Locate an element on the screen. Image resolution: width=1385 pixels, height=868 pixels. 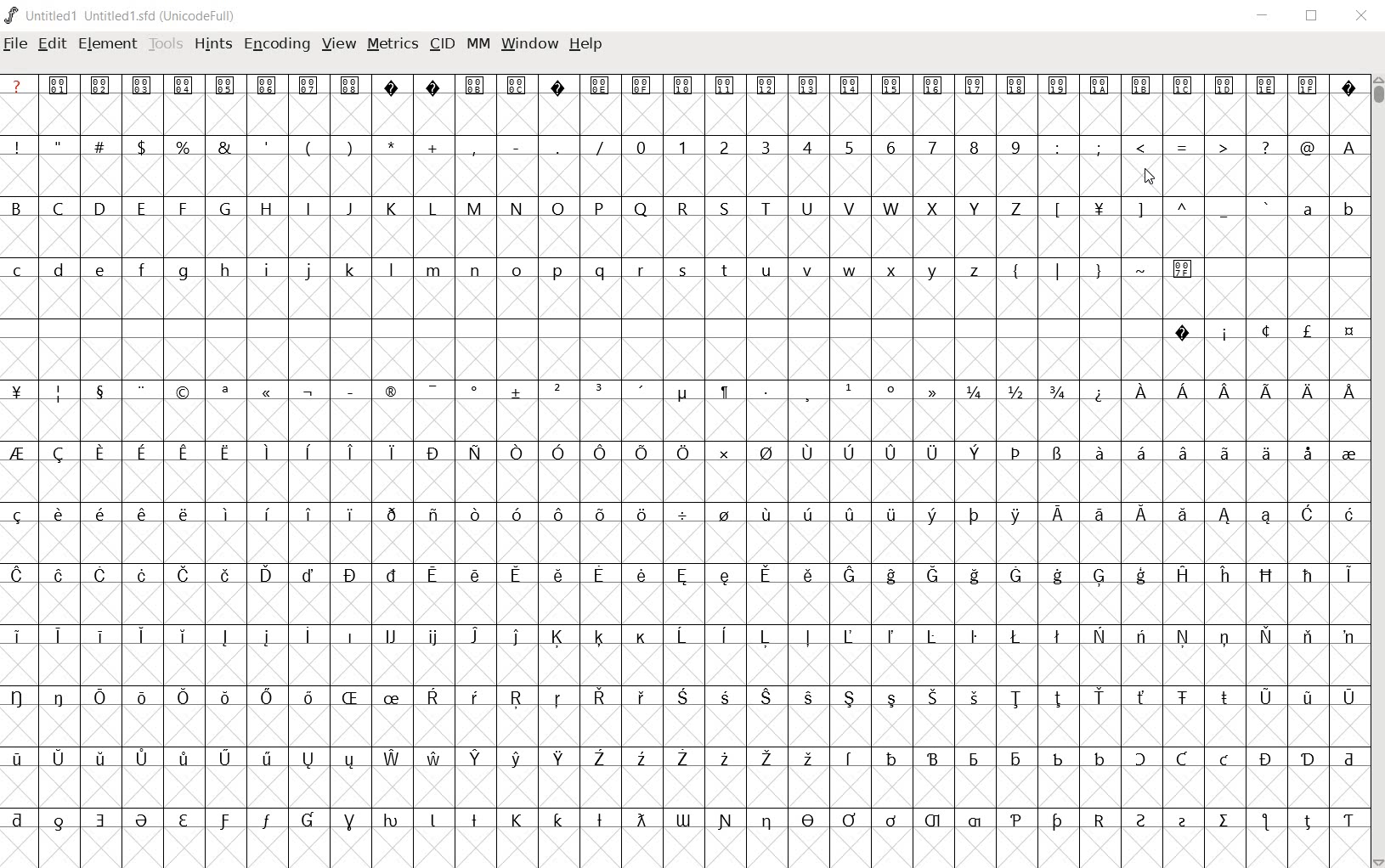
edit is located at coordinates (54, 46).